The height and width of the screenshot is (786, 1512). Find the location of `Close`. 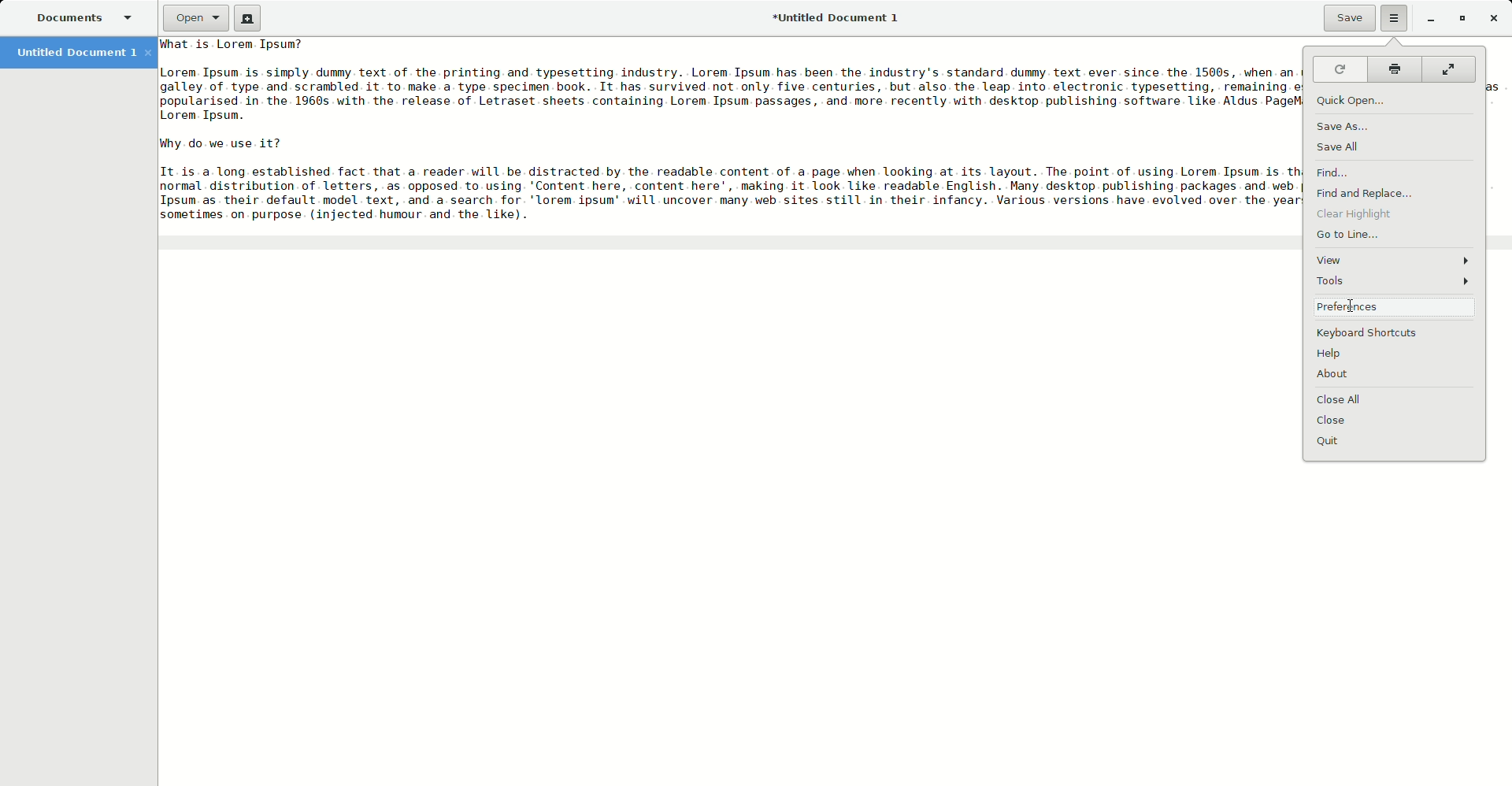

Close is located at coordinates (1343, 399).